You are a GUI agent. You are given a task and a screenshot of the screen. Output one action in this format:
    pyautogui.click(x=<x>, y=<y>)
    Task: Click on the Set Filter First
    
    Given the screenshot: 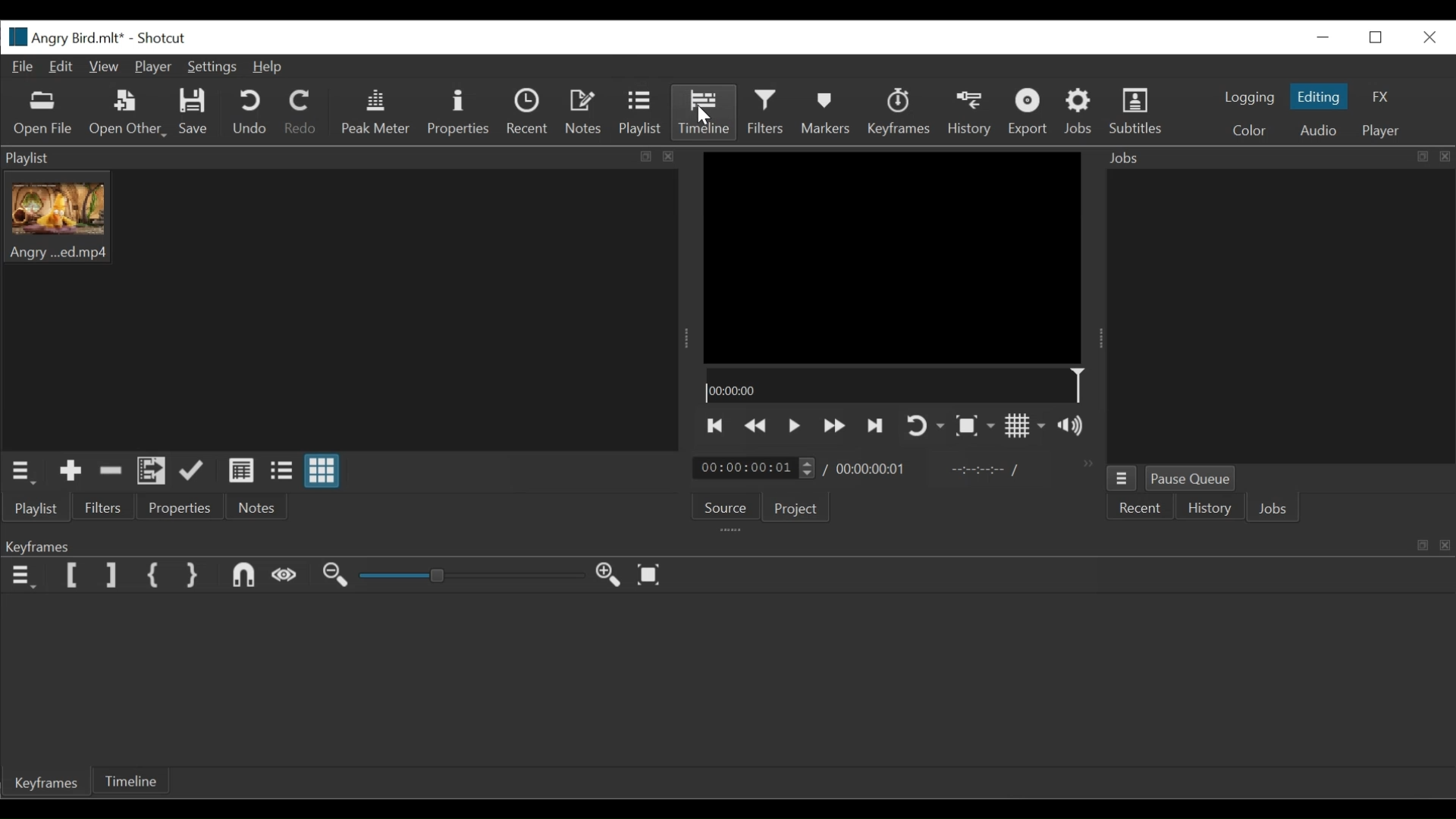 What is the action you would take?
    pyautogui.click(x=71, y=576)
    